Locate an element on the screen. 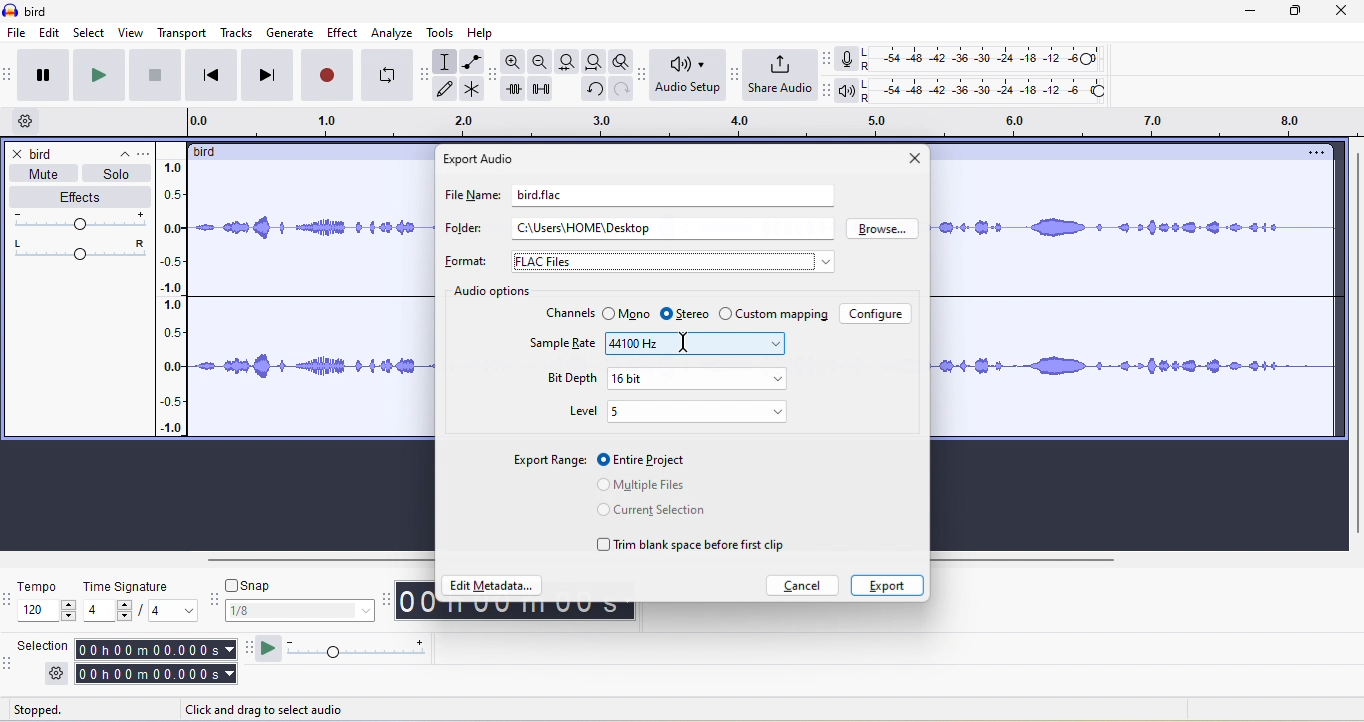 Image resolution: width=1364 pixels, height=722 pixels. close is located at coordinates (1344, 13).